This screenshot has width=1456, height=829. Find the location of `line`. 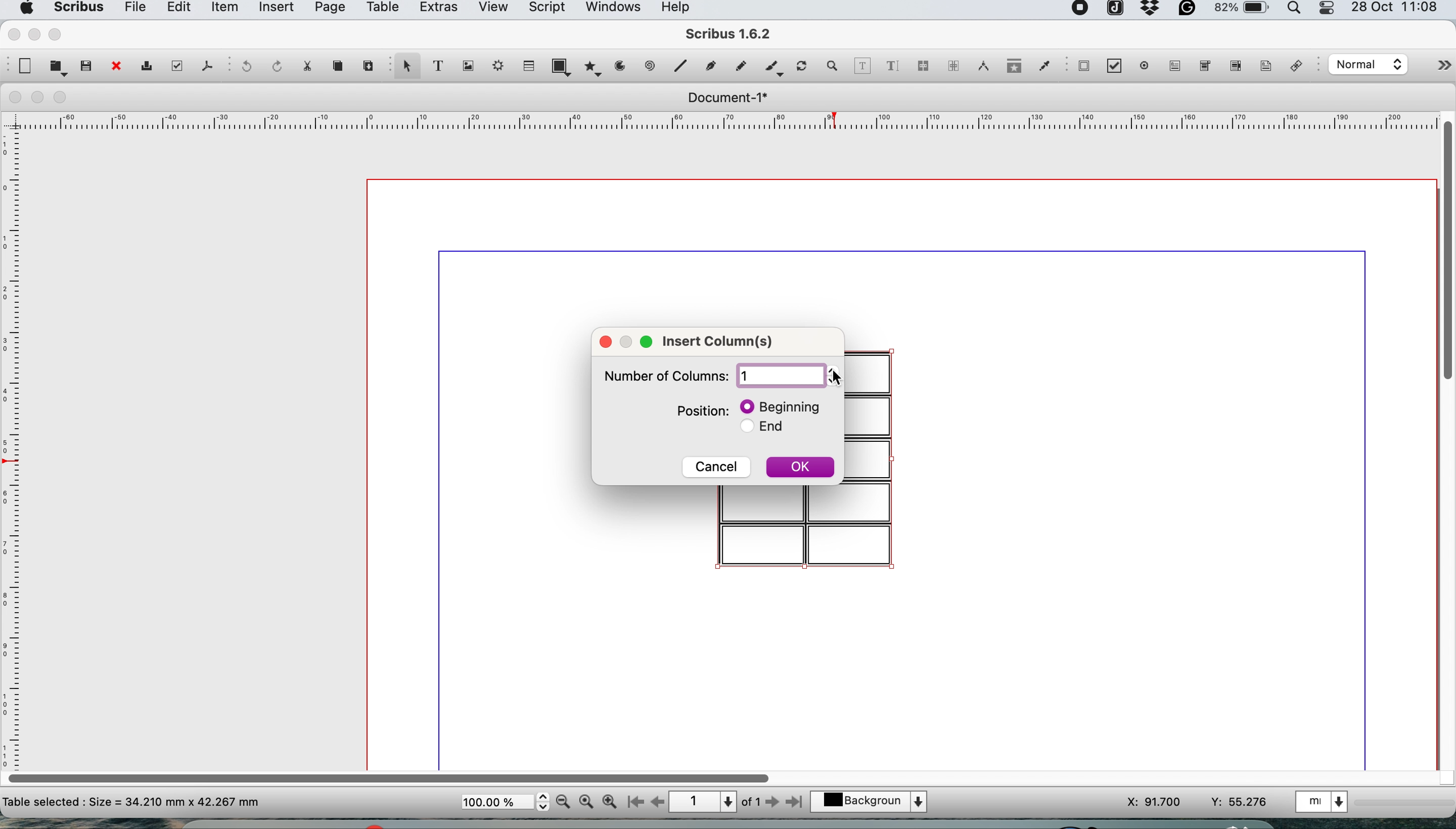

line is located at coordinates (679, 65).